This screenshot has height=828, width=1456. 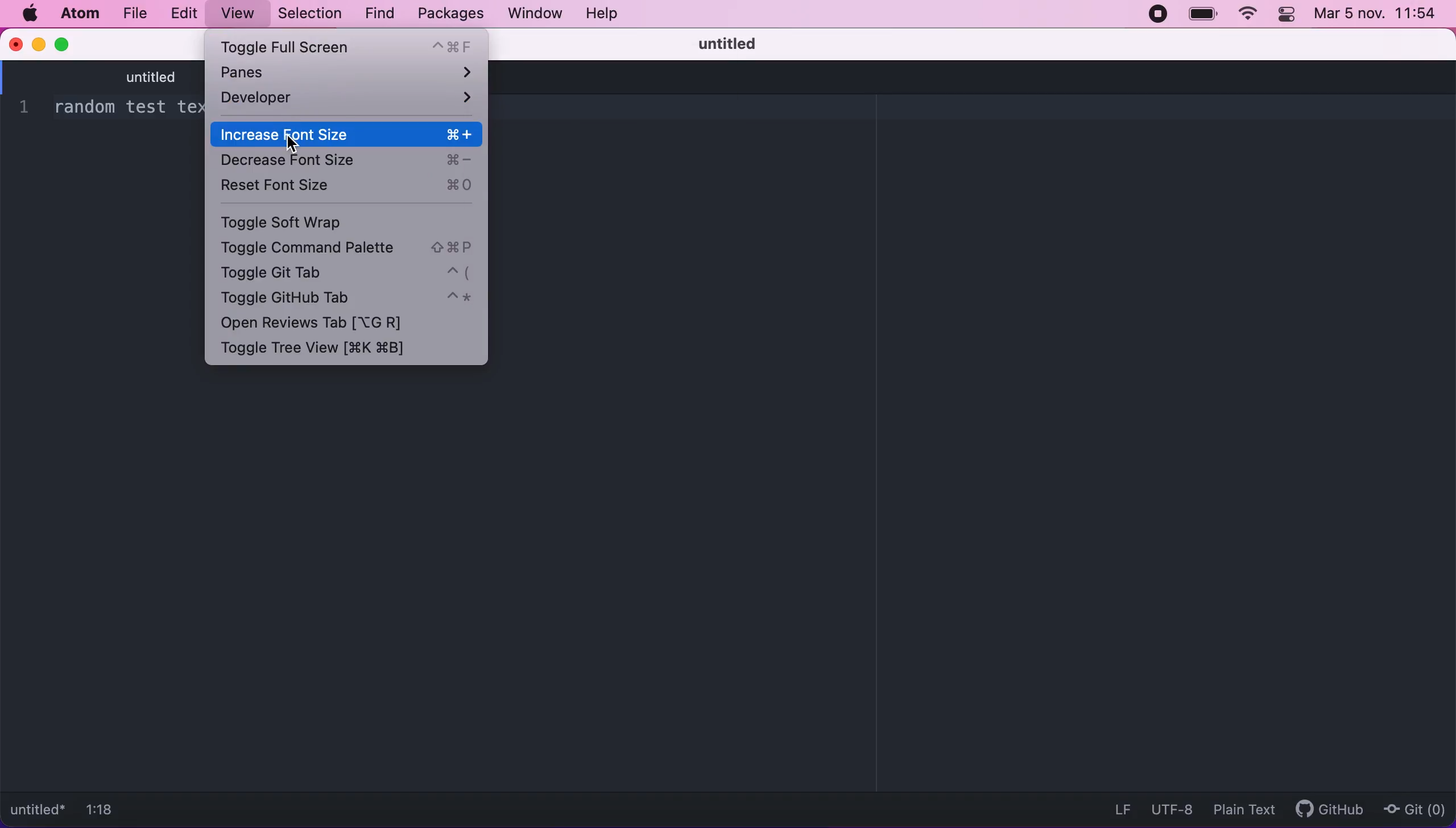 I want to click on toggle github tab, so click(x=347, y=299).